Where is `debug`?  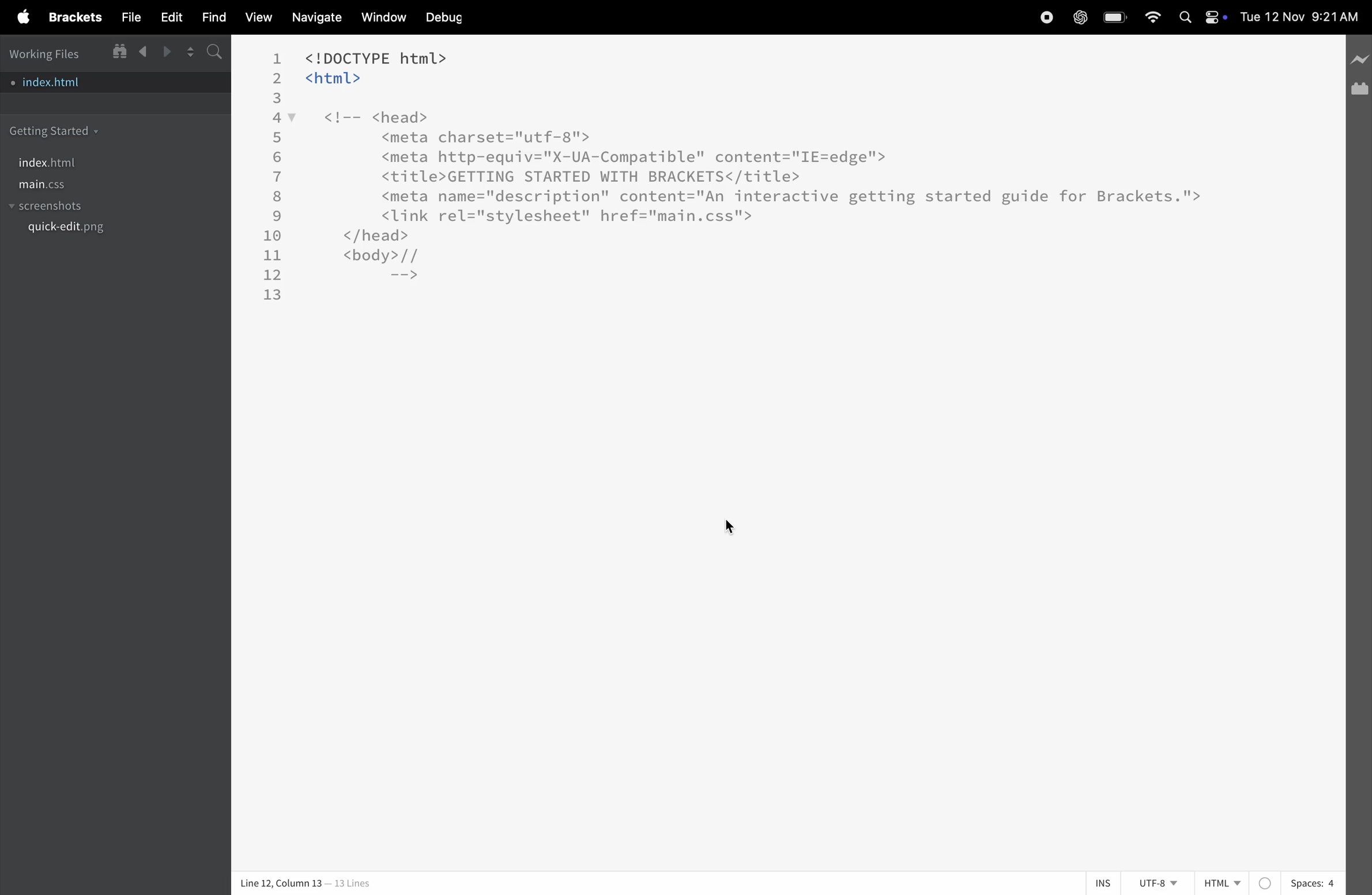
debug is located at coordinates (451, 16).